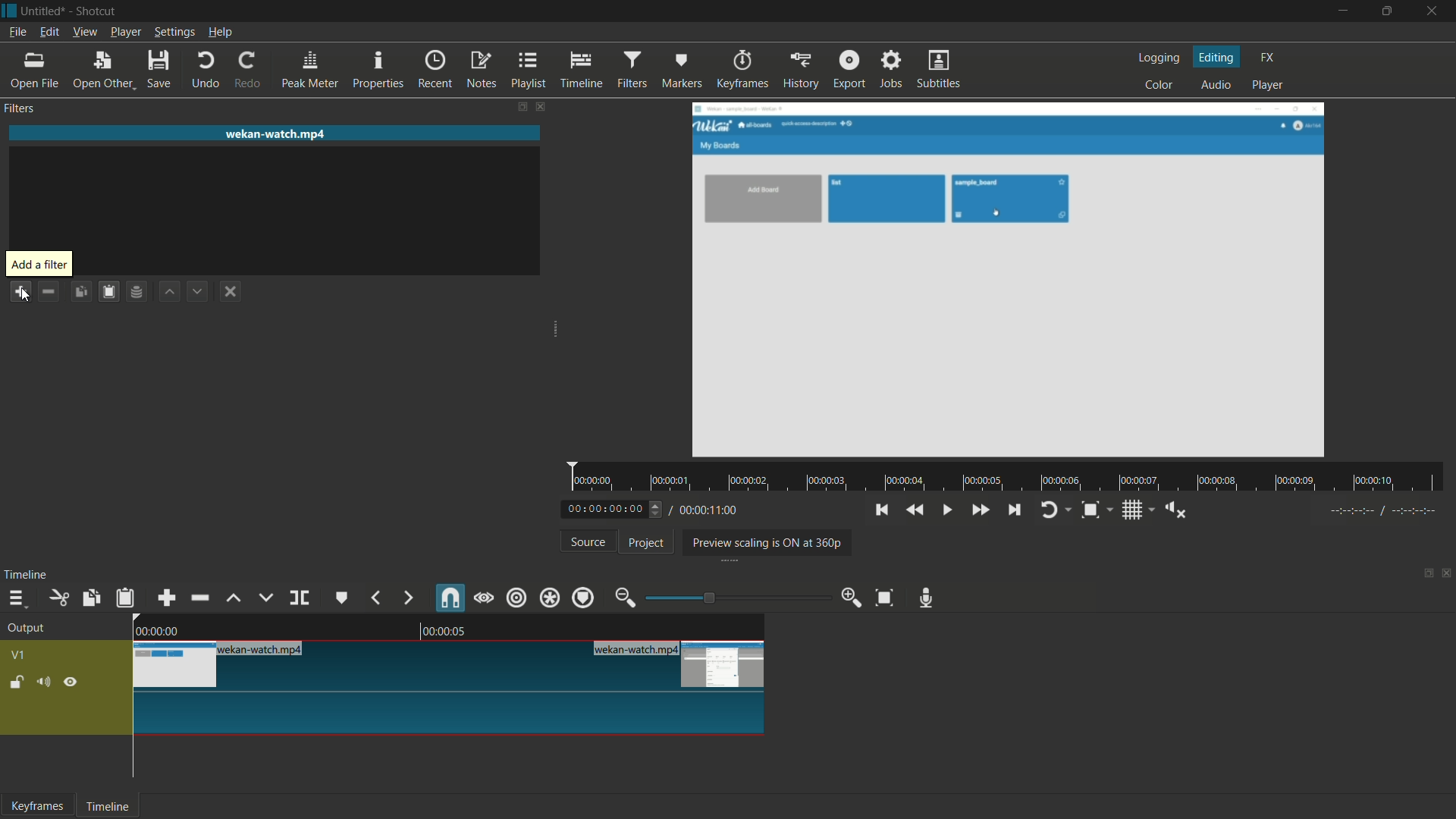  I want to click on editing, so click(1217, 57).